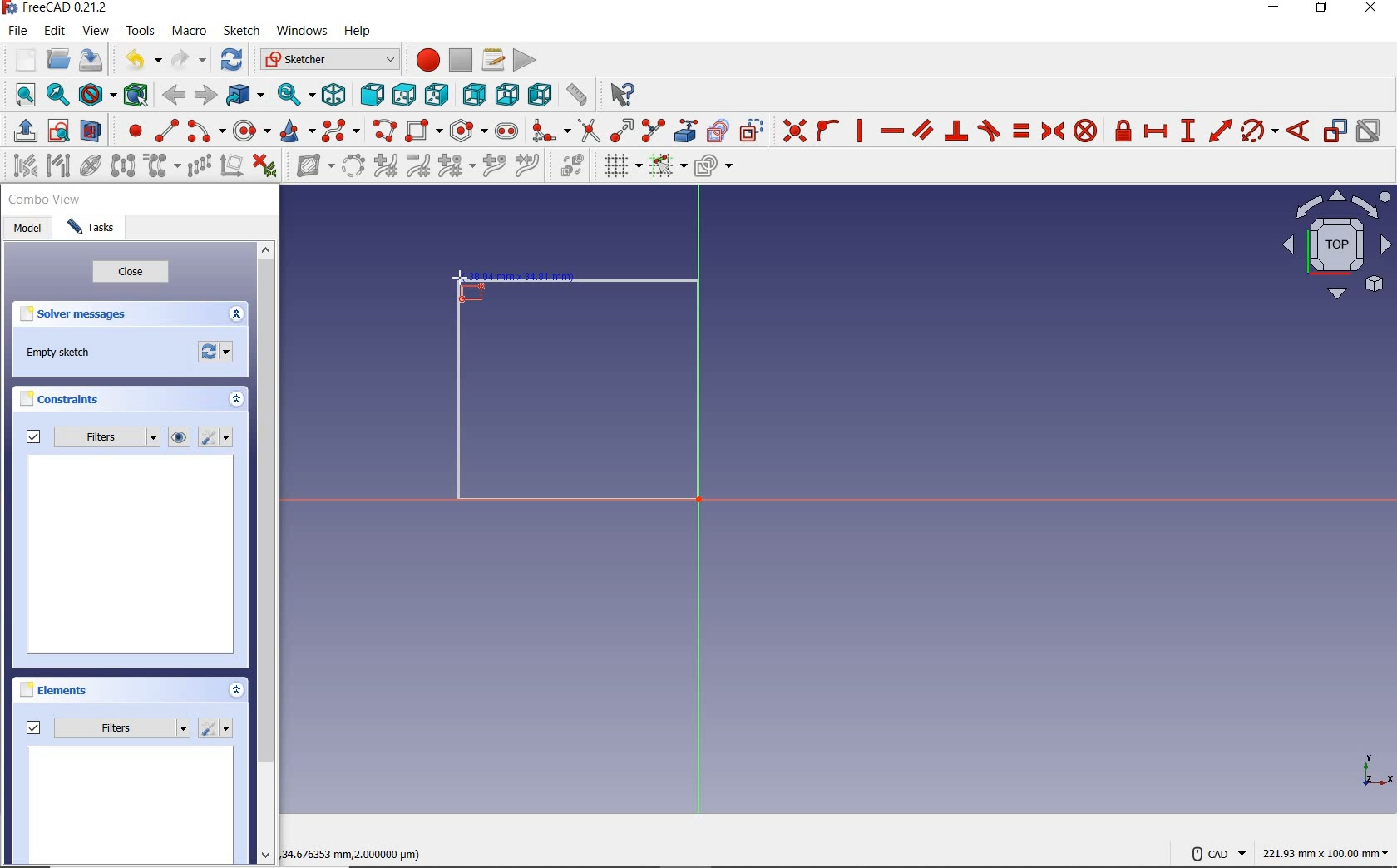 The width and height of the screenshot is (1397, 868). I want to click on back, so click(175, 96).